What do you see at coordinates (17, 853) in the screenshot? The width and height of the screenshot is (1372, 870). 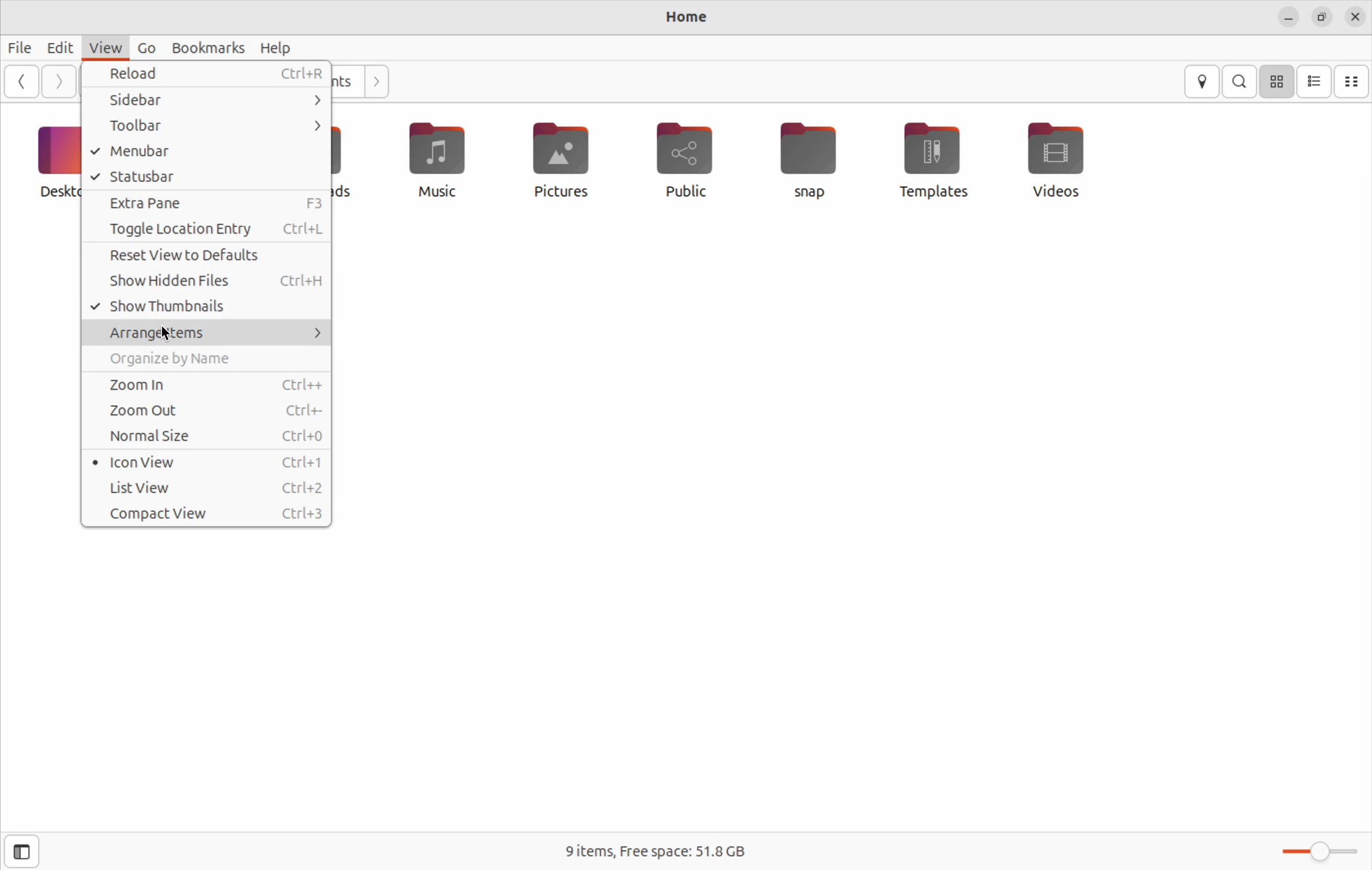 I see `open side bar` at bounding box center [17, 853].